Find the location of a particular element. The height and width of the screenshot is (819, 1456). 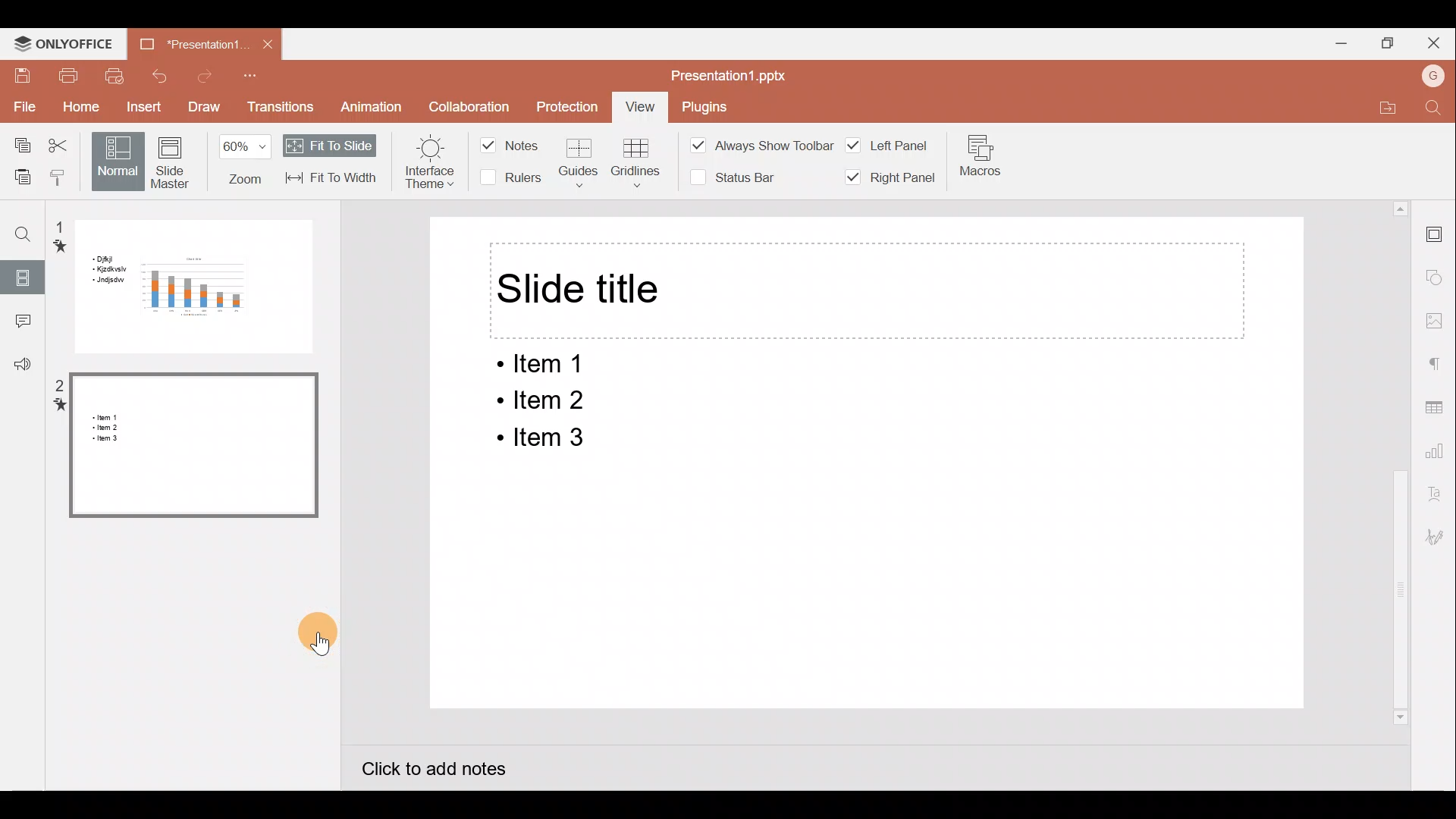

Signature settings is located at coordinates (1439, 537).